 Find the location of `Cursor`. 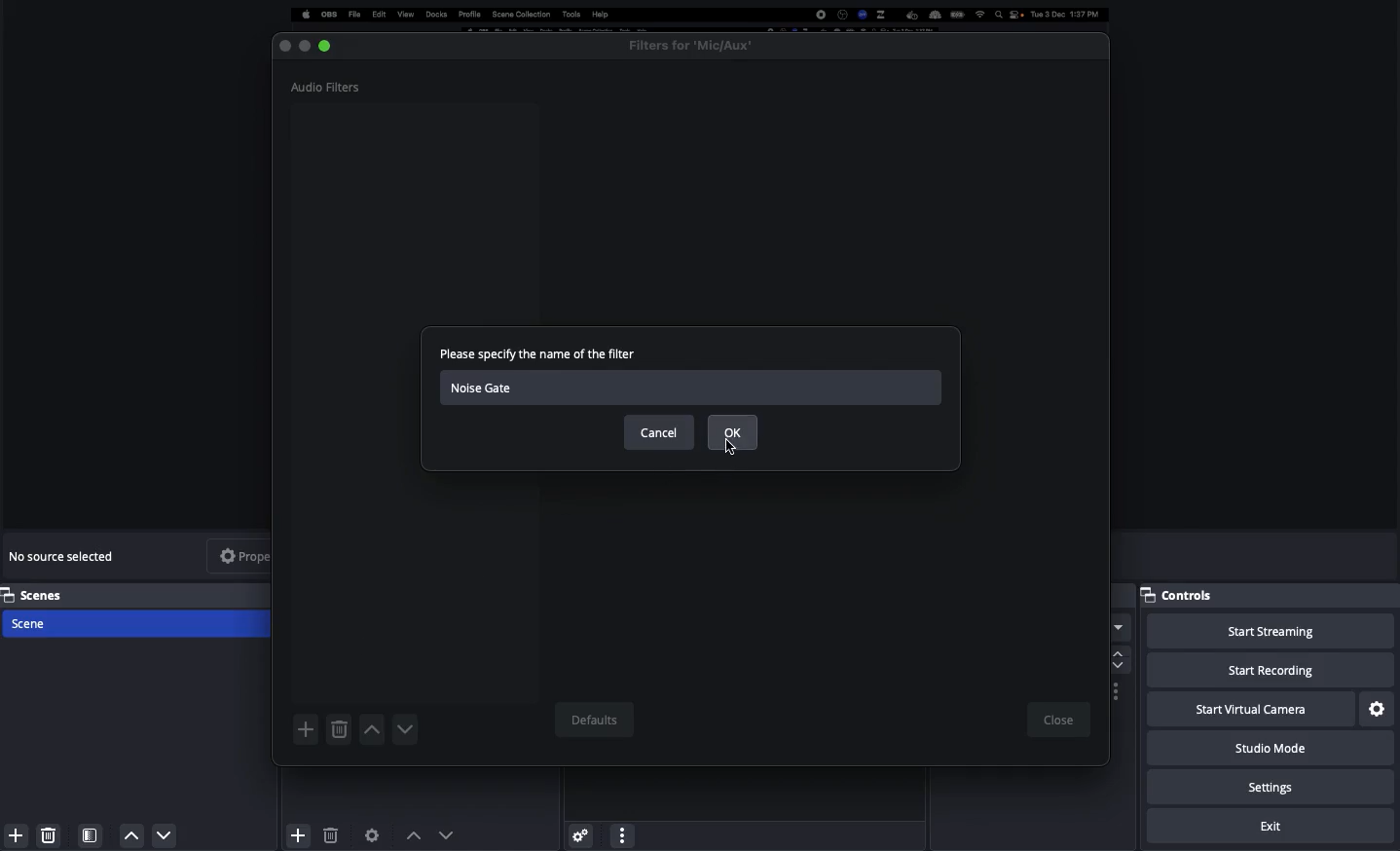

Cursor is located at coordinates (735, 452).